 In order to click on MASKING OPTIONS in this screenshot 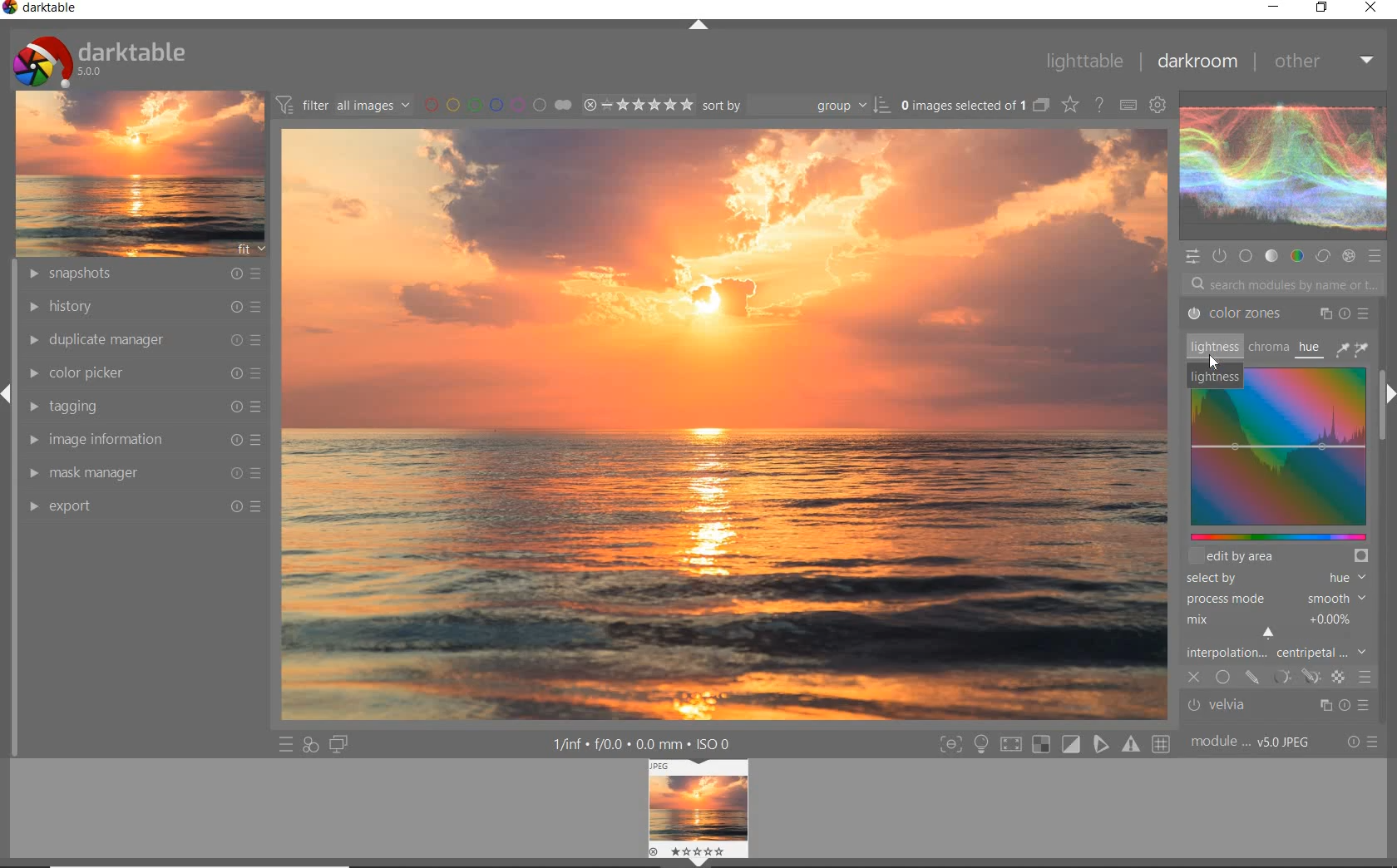, I will do `click(1293, 676)`.